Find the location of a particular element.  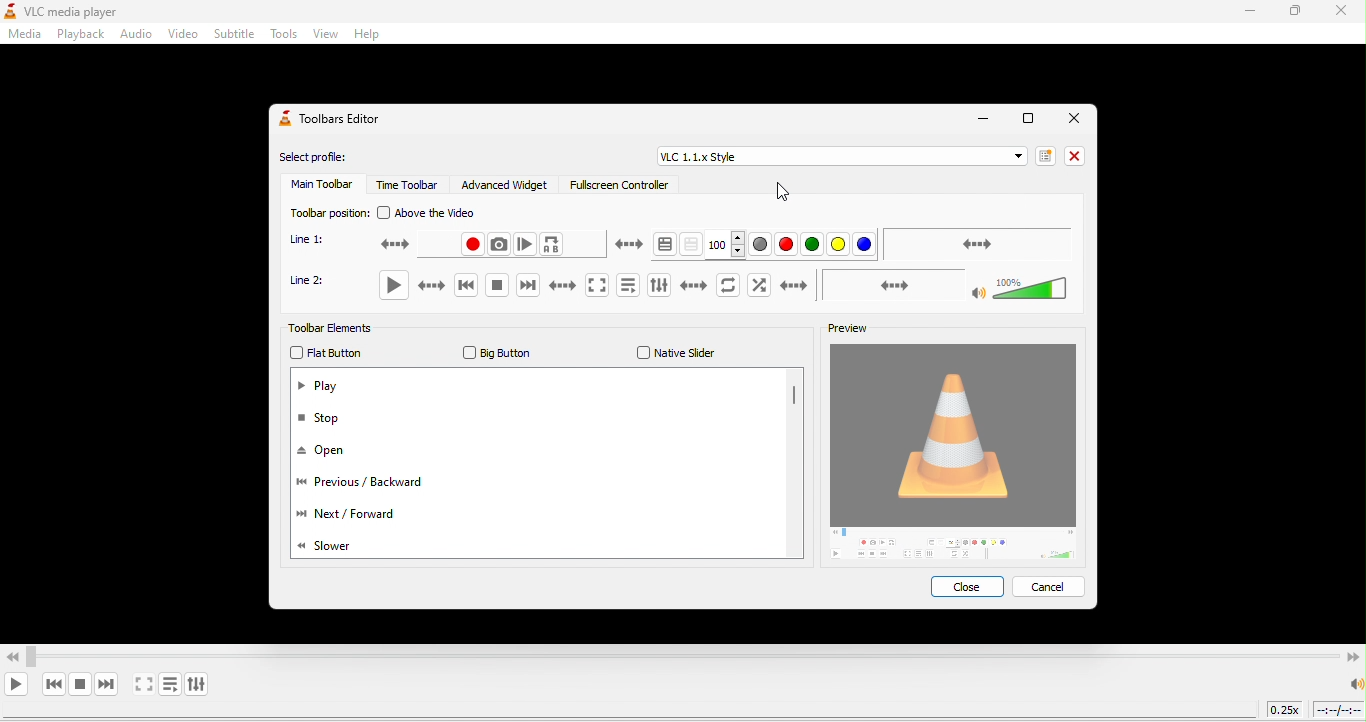

toggle transparency is located at coordinates (695, 246).